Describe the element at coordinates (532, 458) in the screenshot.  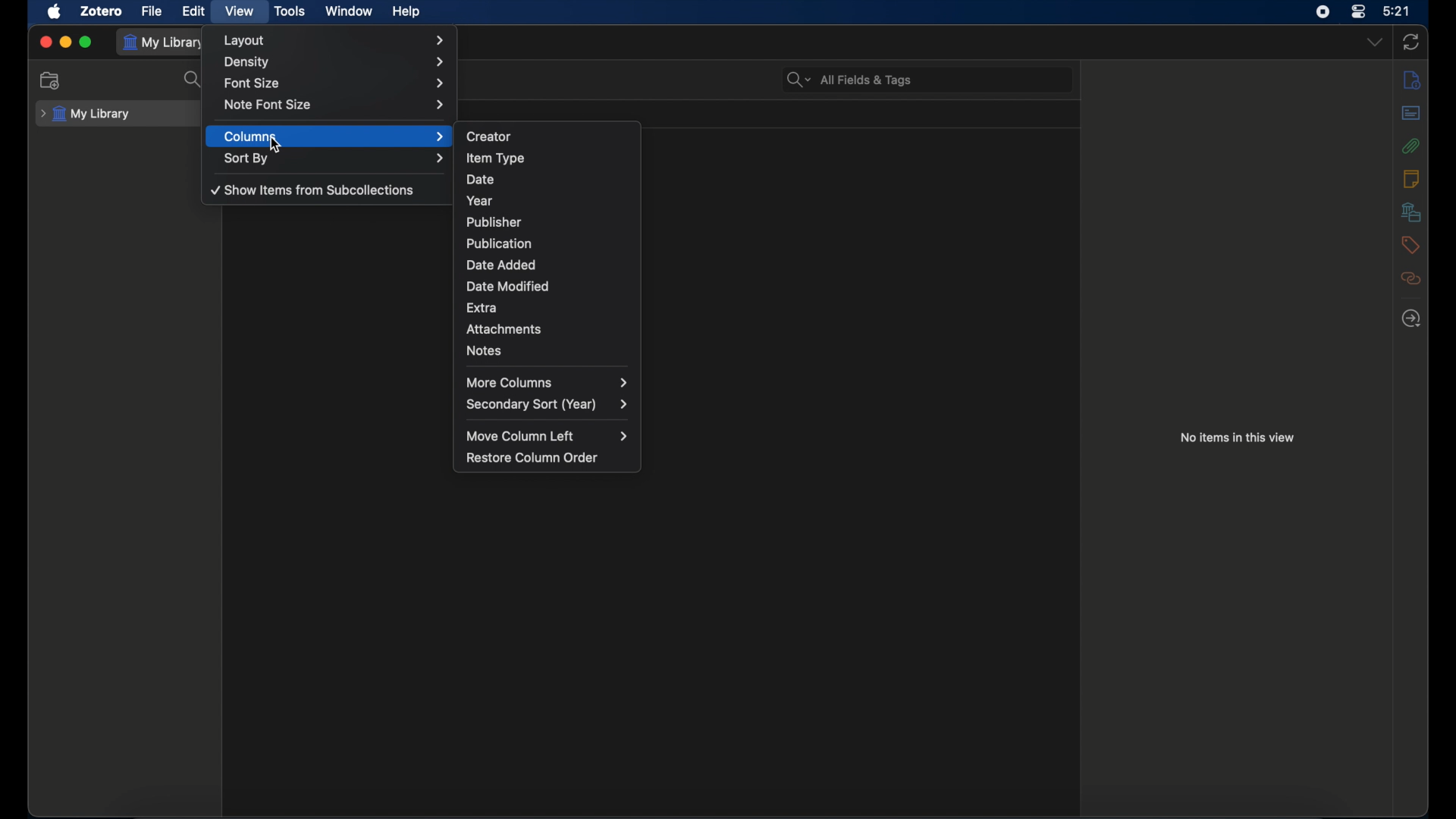
I see `restore column order` at that location.